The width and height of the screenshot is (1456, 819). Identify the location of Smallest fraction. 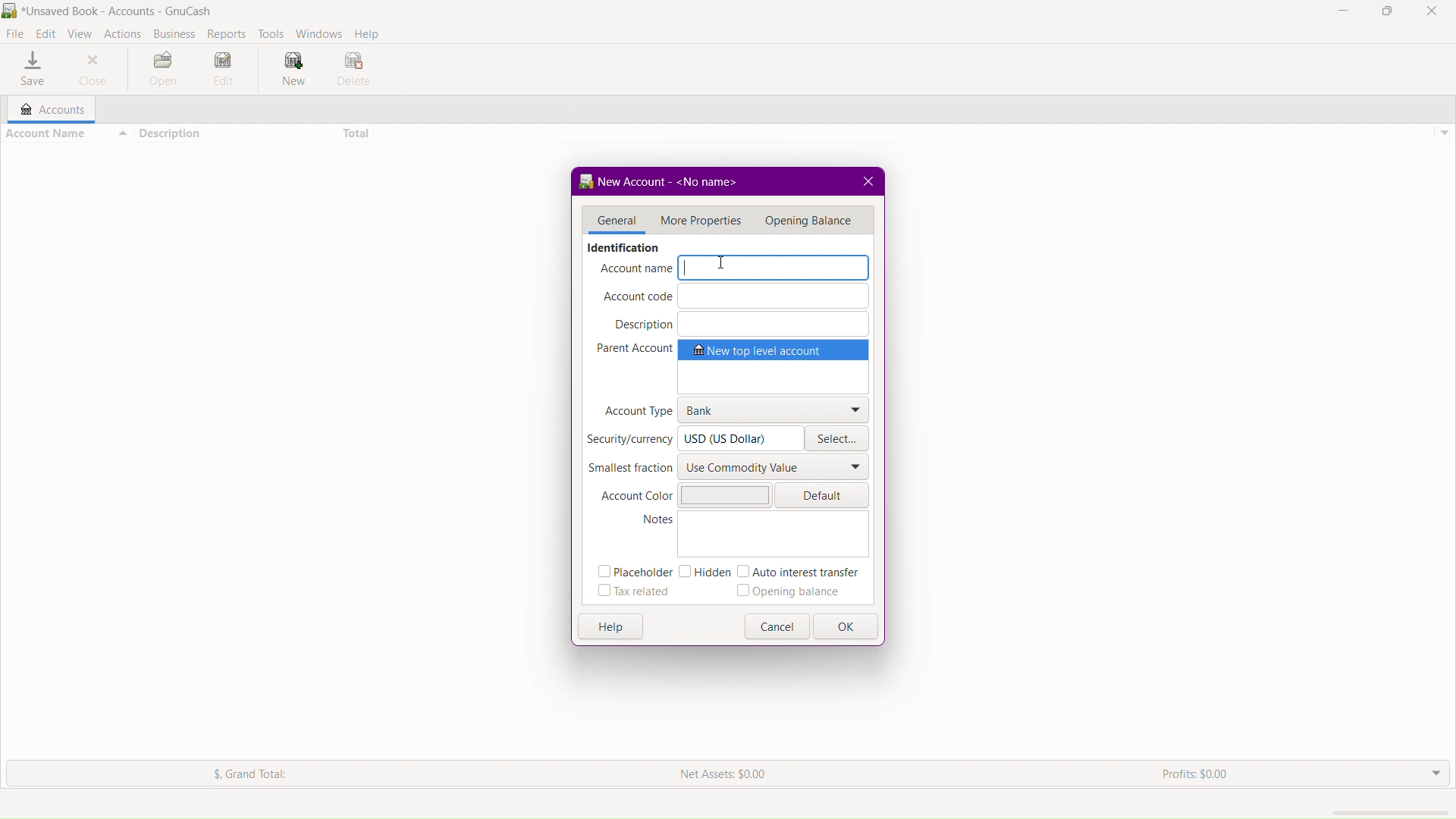
(730, 469).